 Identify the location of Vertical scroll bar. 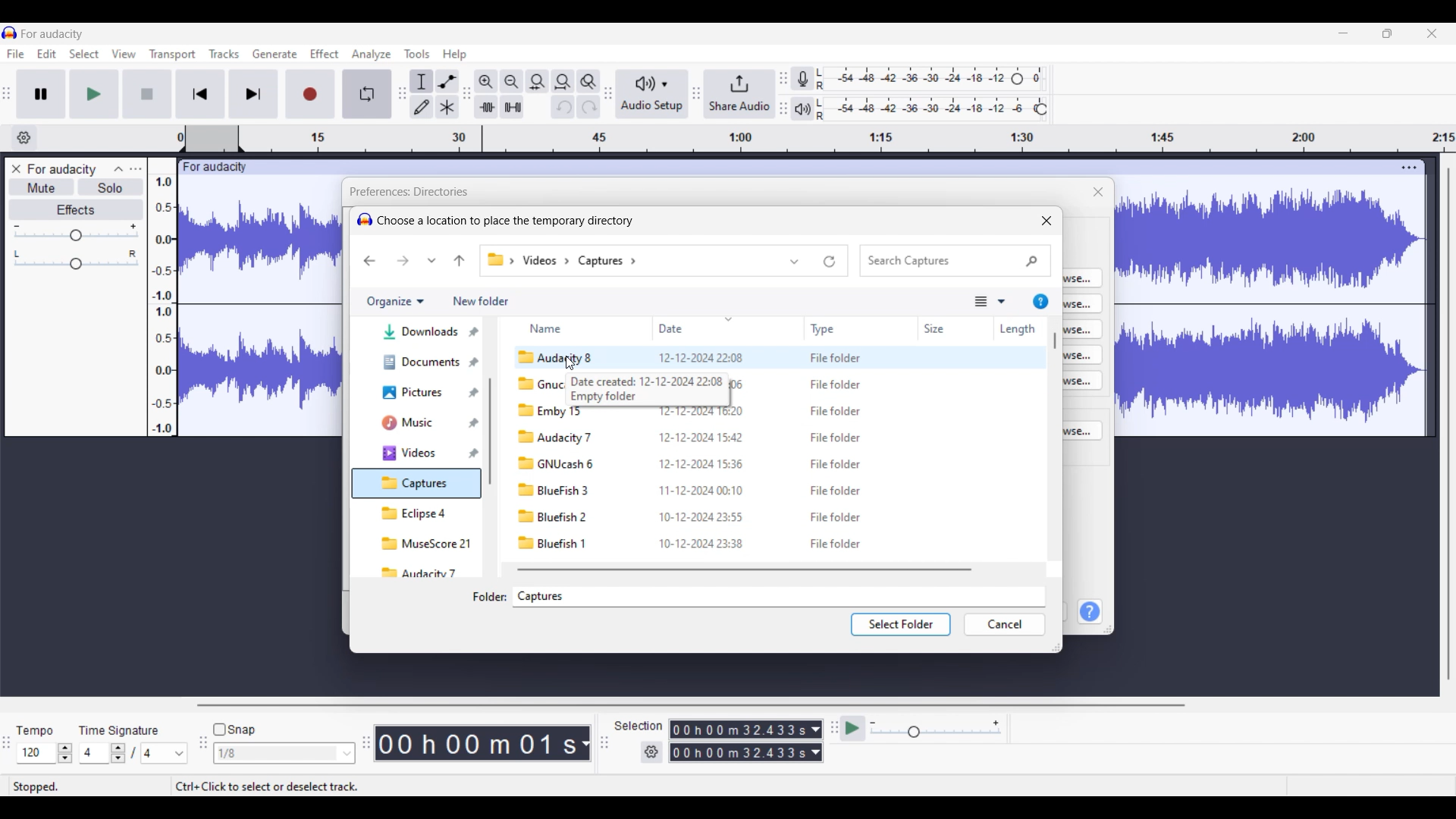
(1449, 424).